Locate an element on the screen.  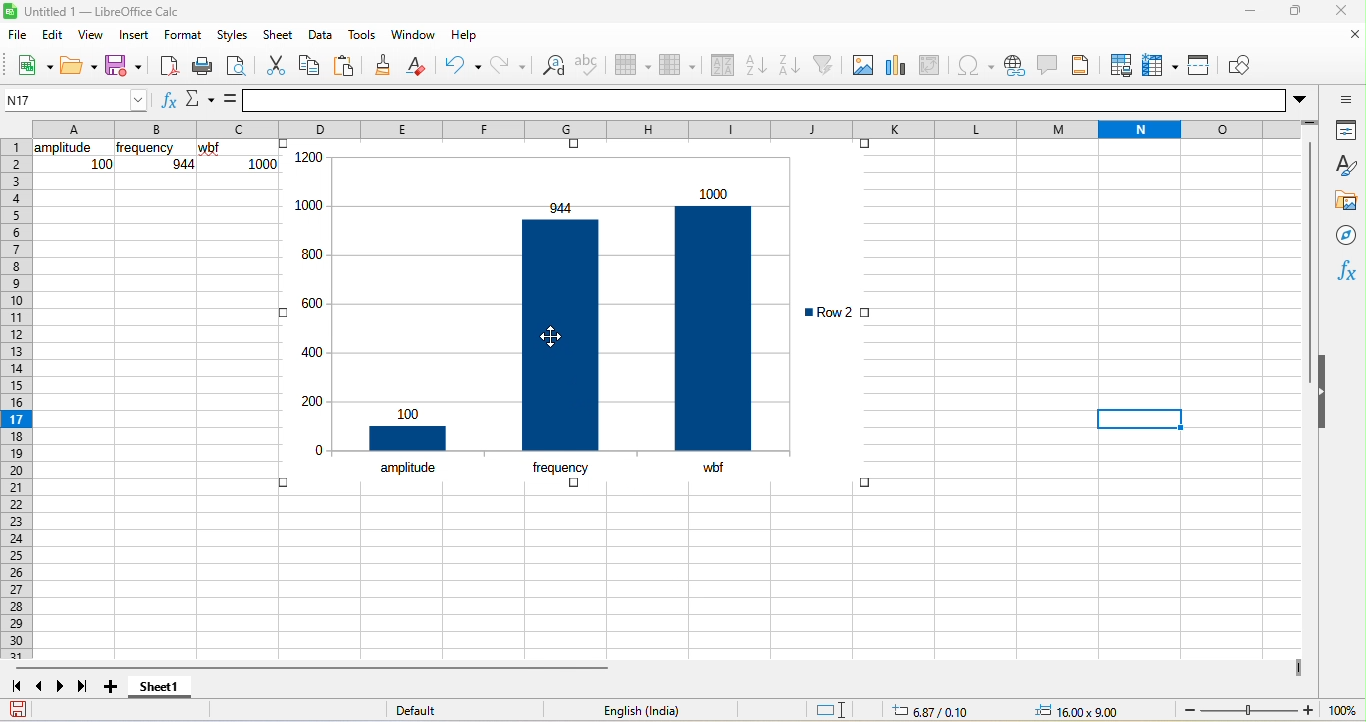
row 2 is located at coordinates (829, 312).